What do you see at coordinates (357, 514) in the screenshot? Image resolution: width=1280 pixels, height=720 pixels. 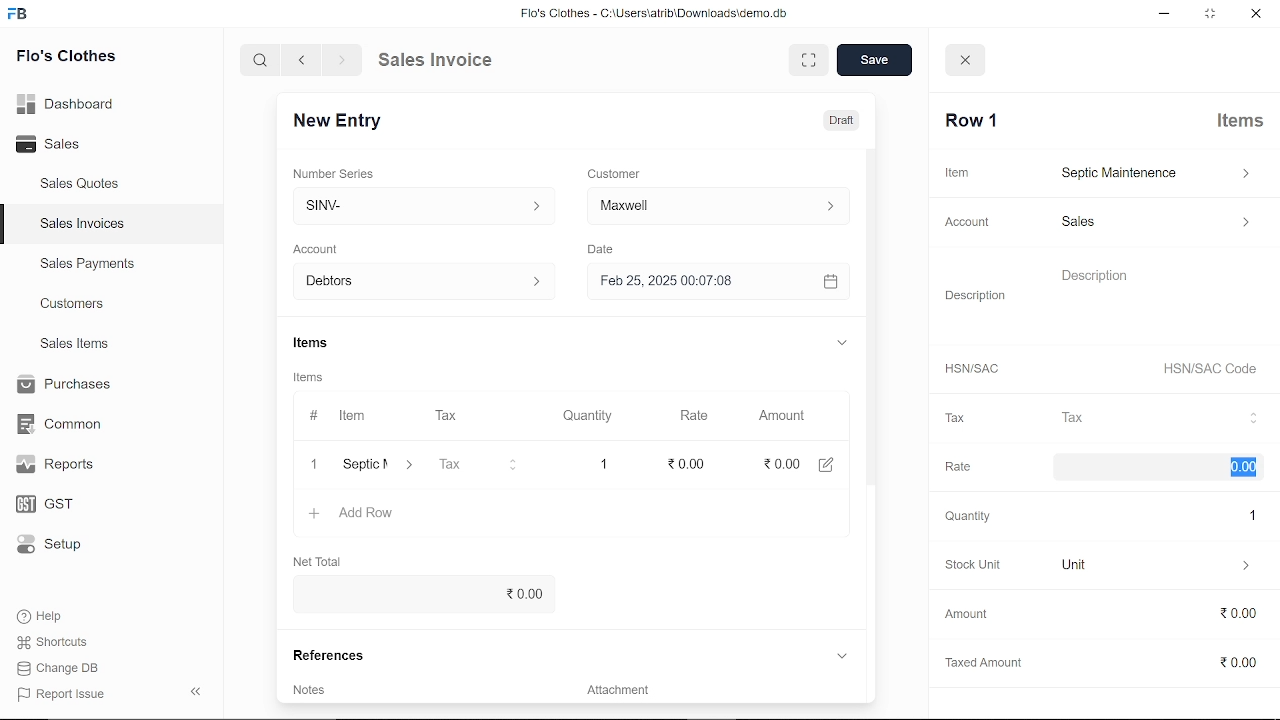 I see `+ Add Row` at bounding box center [357, 514].